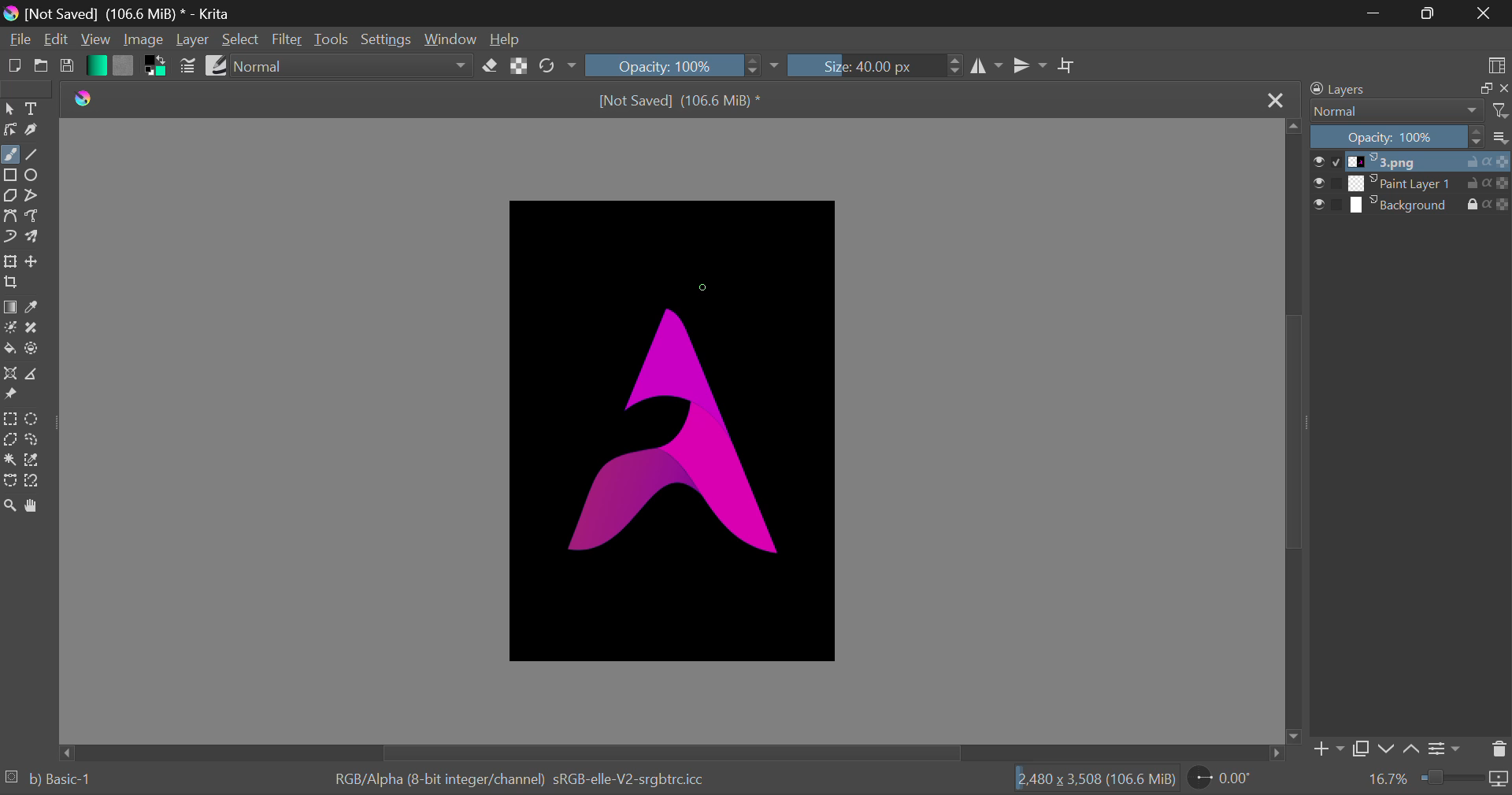  I want to click on Lock Alpha, so click(519, 66).